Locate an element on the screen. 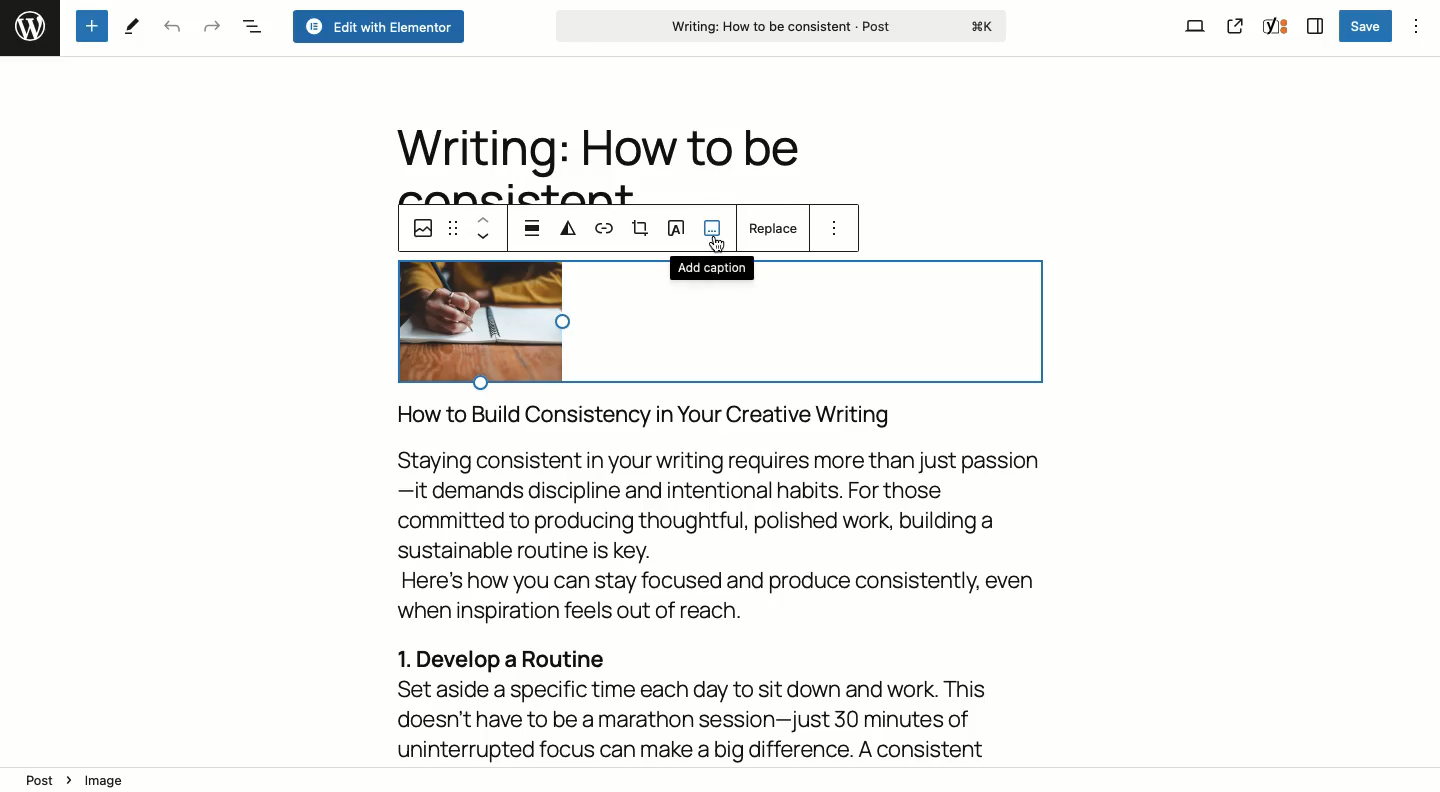  post is located at coordinates (40, 781).